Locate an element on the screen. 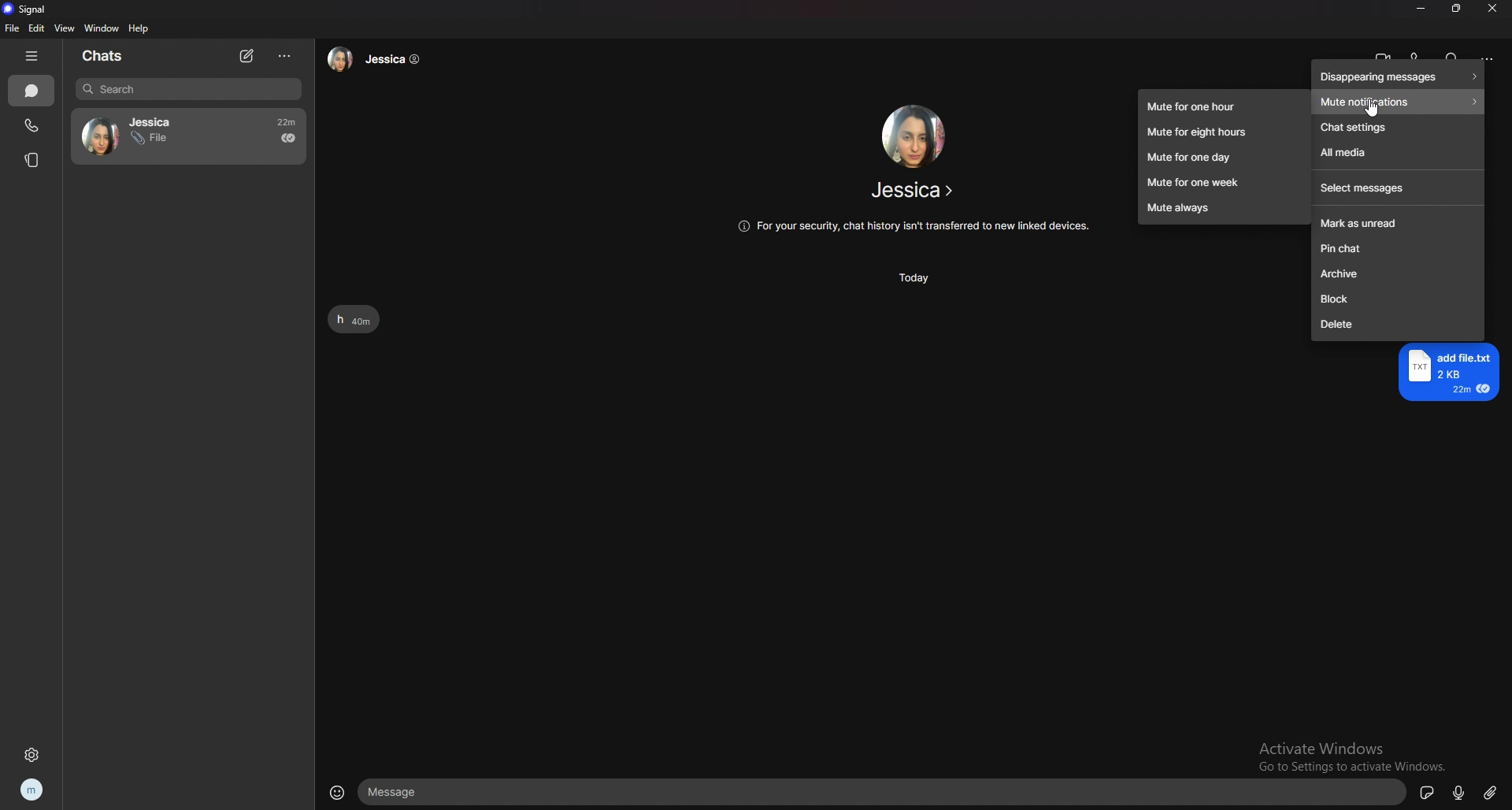 The image size is (1512, 810). hide tab is located at coordinates (34, 57).